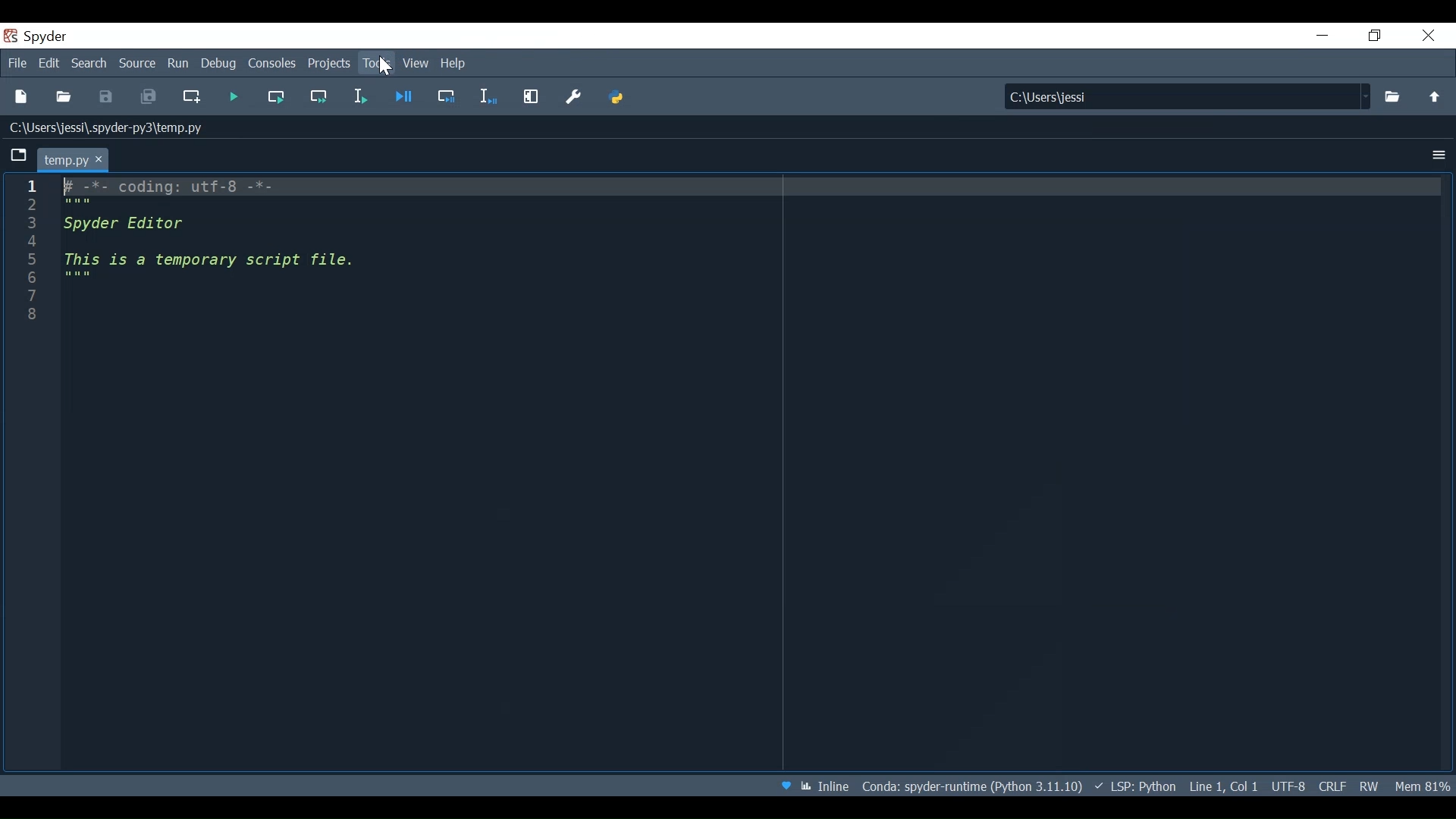 The image size is (1456, 819). Describe the element at coordinates (71, 158) in the screenshot. I see `Current Tab` at that location.